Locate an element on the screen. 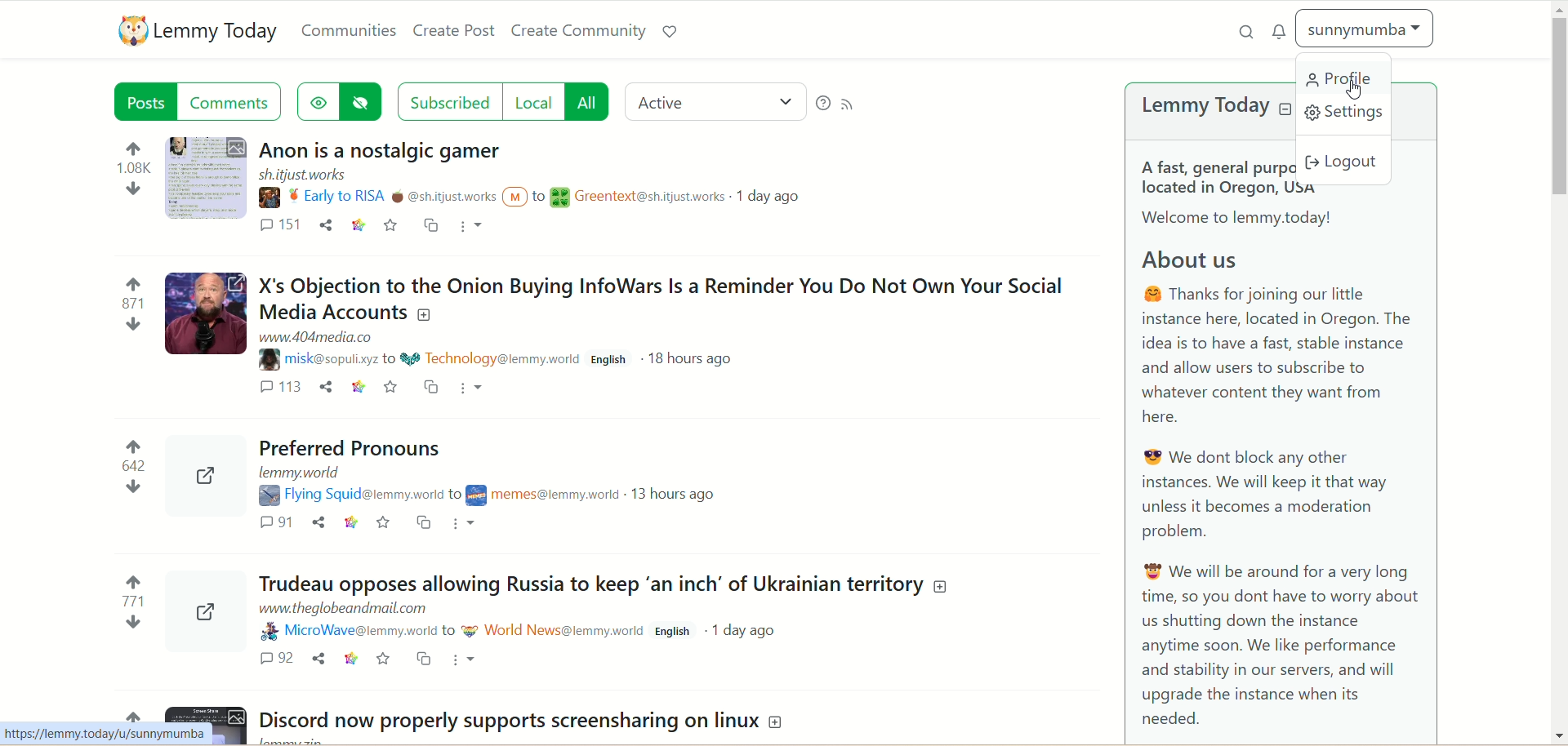 Image resolution: width=1568 pixels, height=746 pixels. Link is located at coordinates (360, 386).